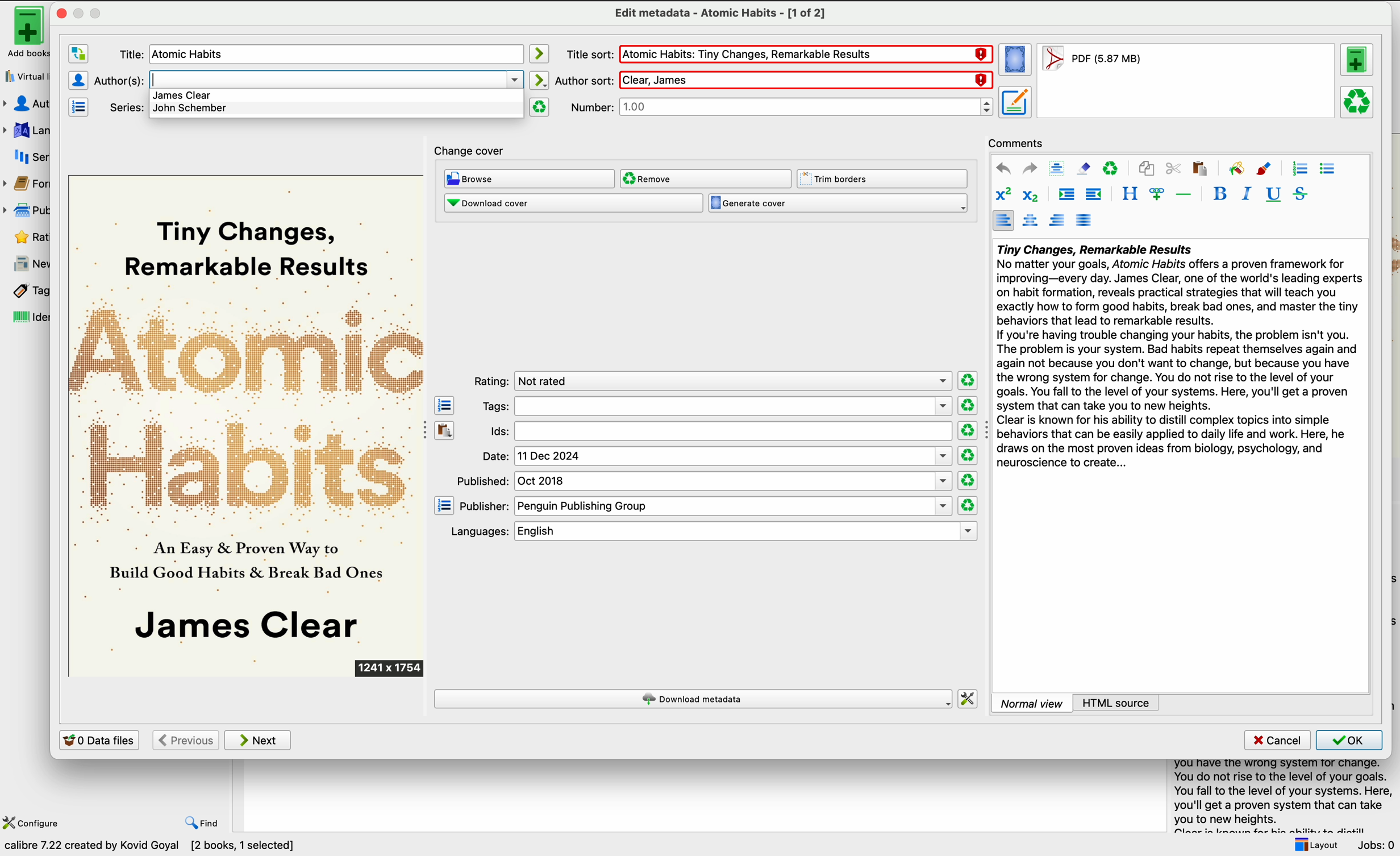  What do you see at coordinates (332, 78) in the screenshot?
I see `typing` at bounding box center [332, 78].